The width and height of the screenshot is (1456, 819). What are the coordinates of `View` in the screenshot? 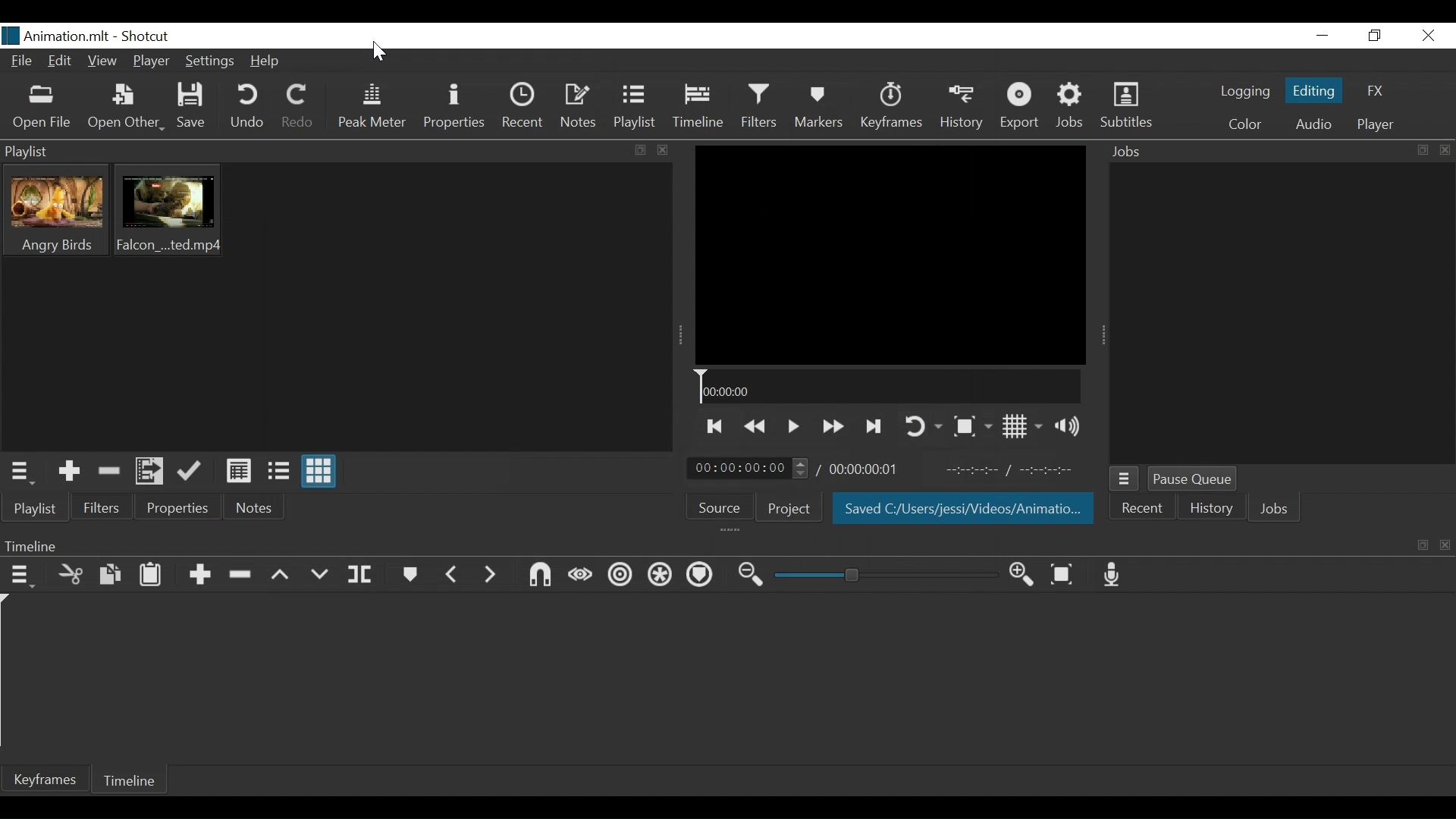 It's located at (102, 63).